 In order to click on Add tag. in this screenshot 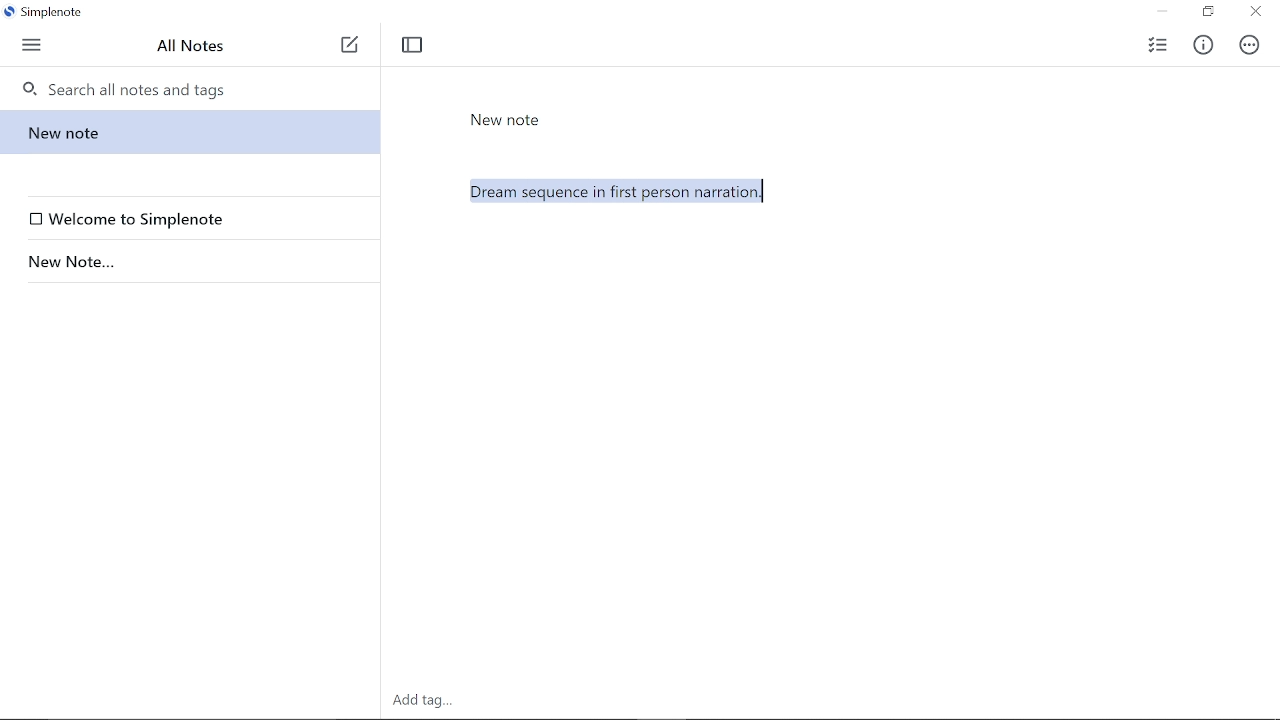, I will do `click(428, 700)`.